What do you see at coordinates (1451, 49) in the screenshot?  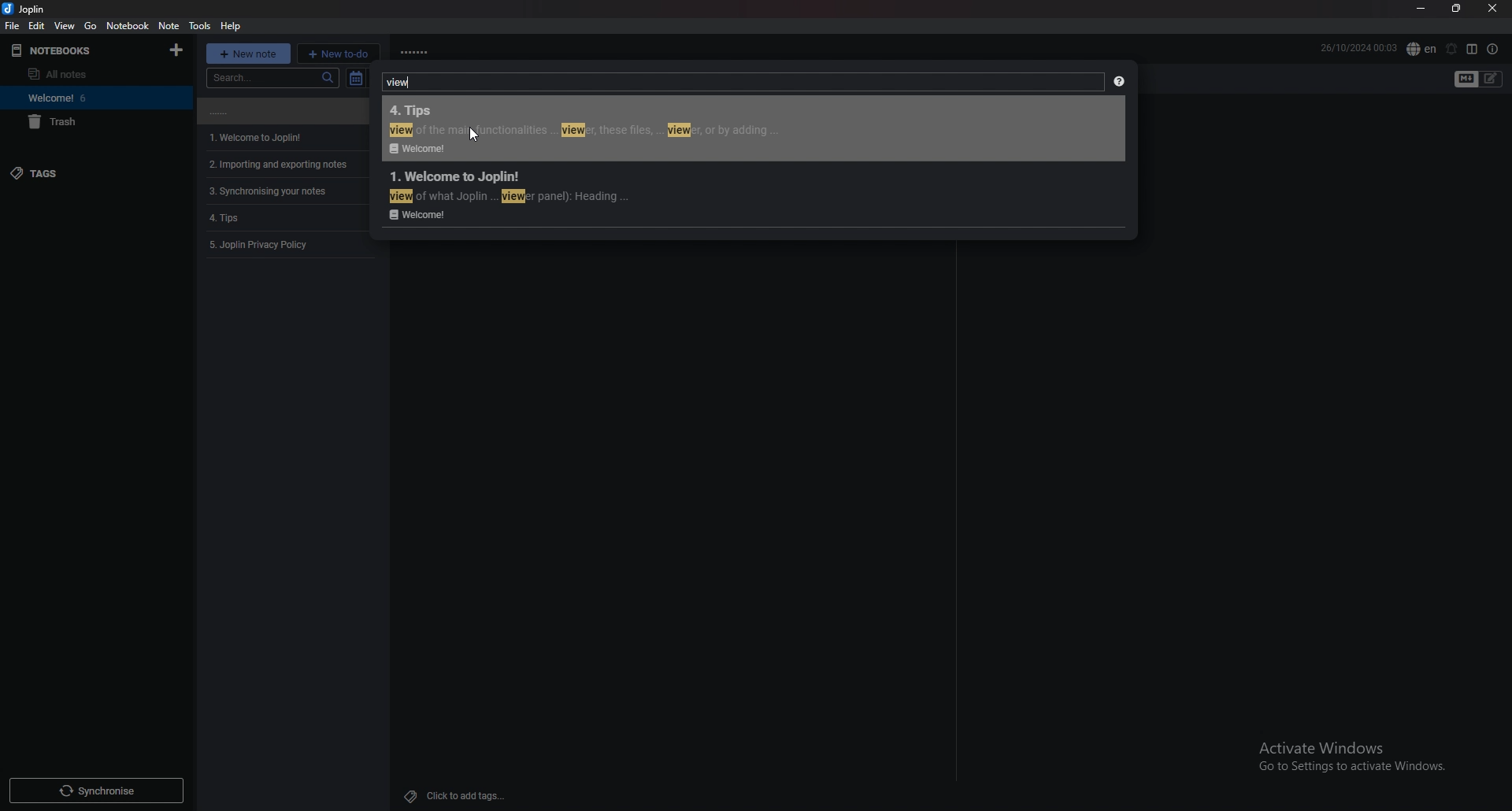 I see `set alarm` at bounding box center [1451, 49].